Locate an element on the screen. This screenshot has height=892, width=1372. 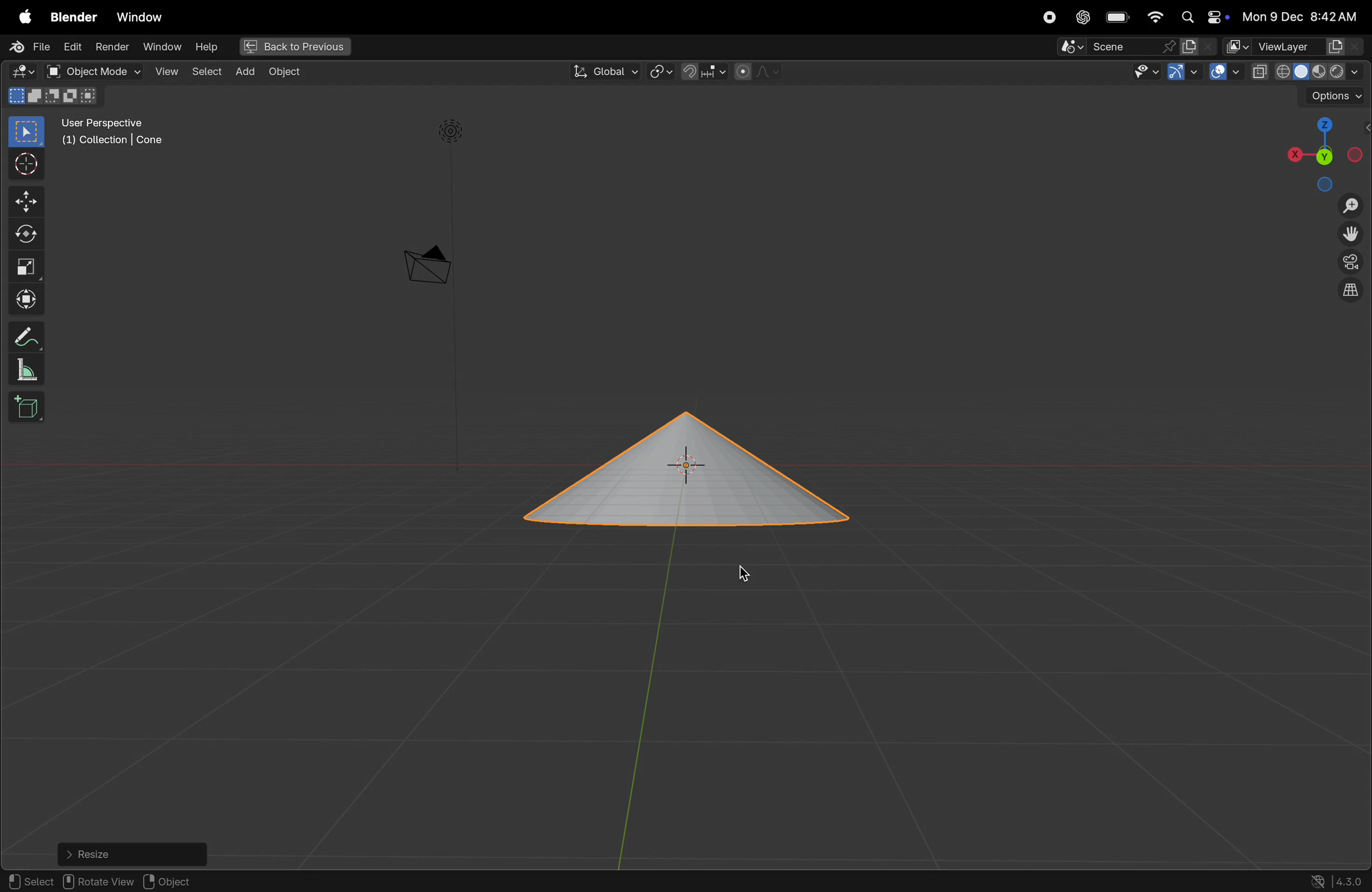
render is located at coordinates (111, 47).